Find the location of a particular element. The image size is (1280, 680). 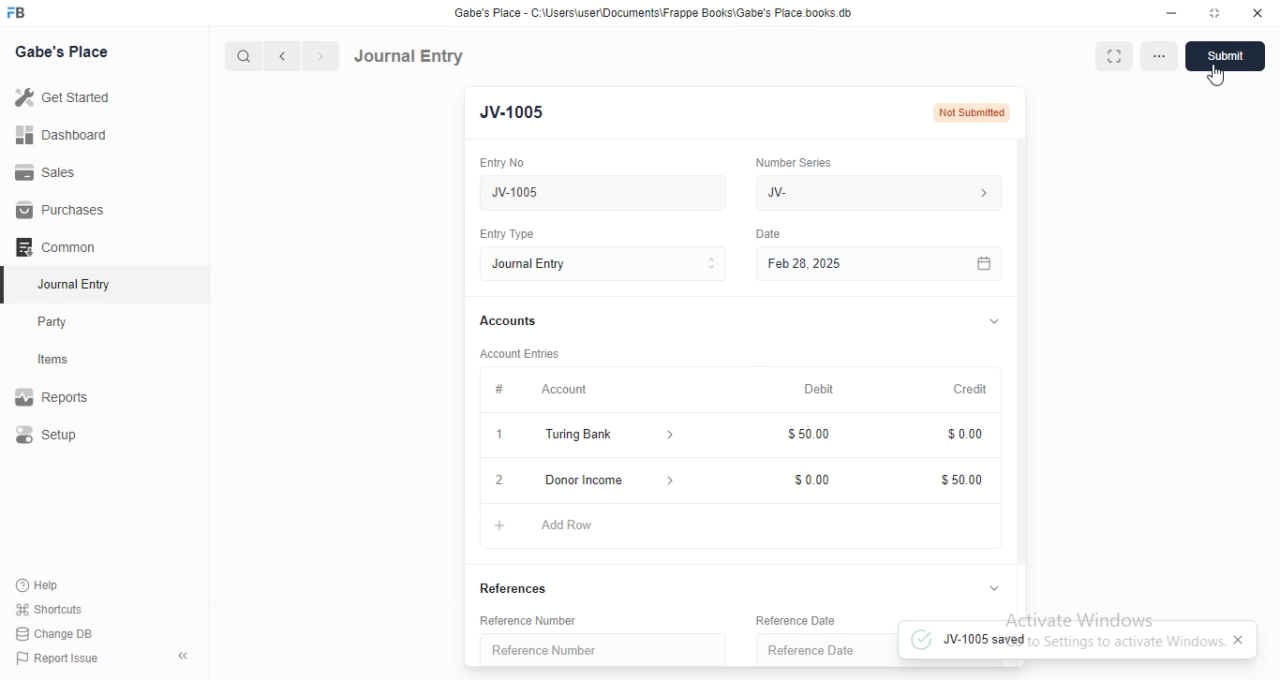

donor income is located at coordinates (602, 478).